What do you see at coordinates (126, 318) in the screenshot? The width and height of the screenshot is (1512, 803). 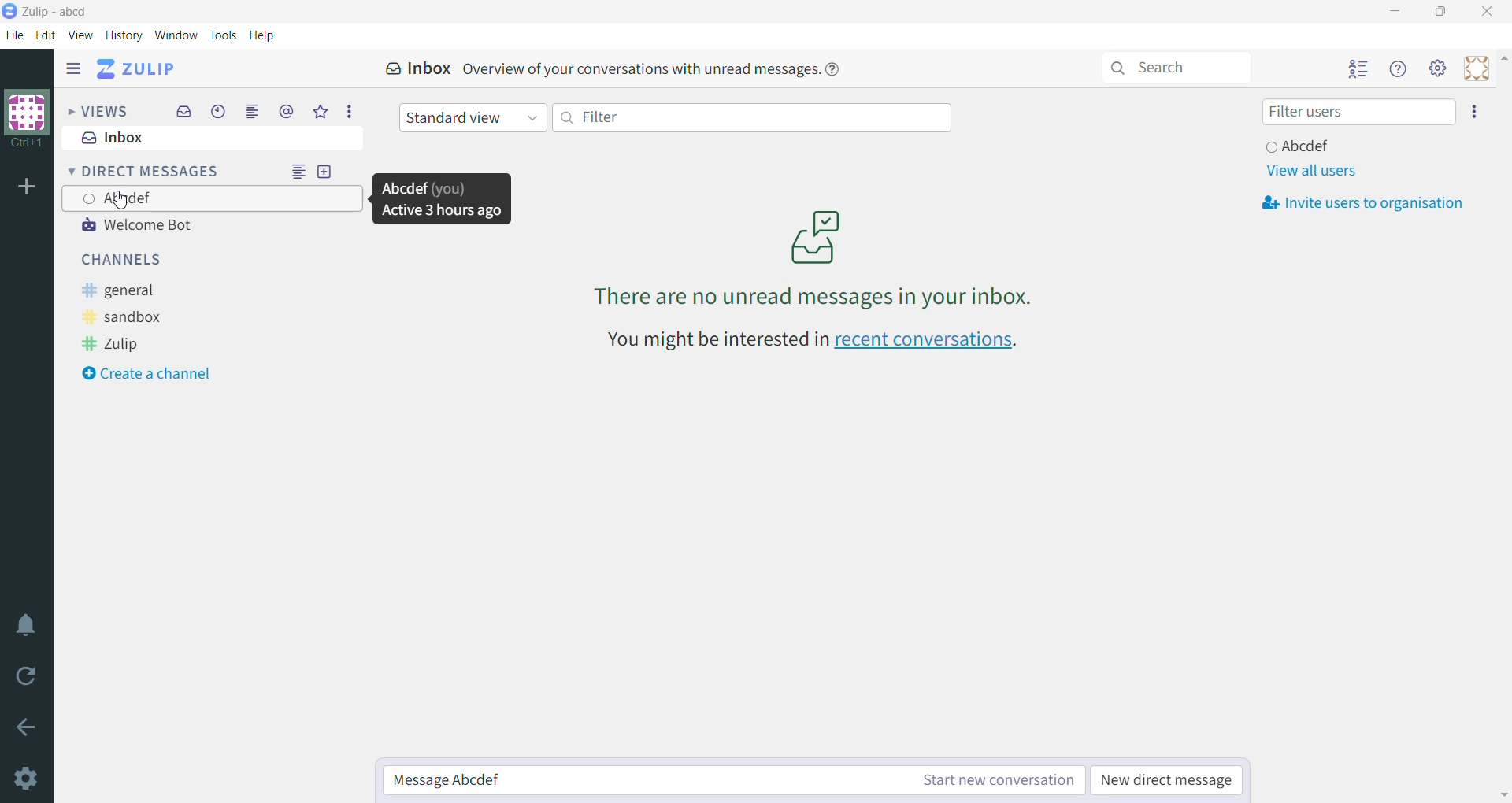 I see `sandbox` at bounding box center [126, 318].